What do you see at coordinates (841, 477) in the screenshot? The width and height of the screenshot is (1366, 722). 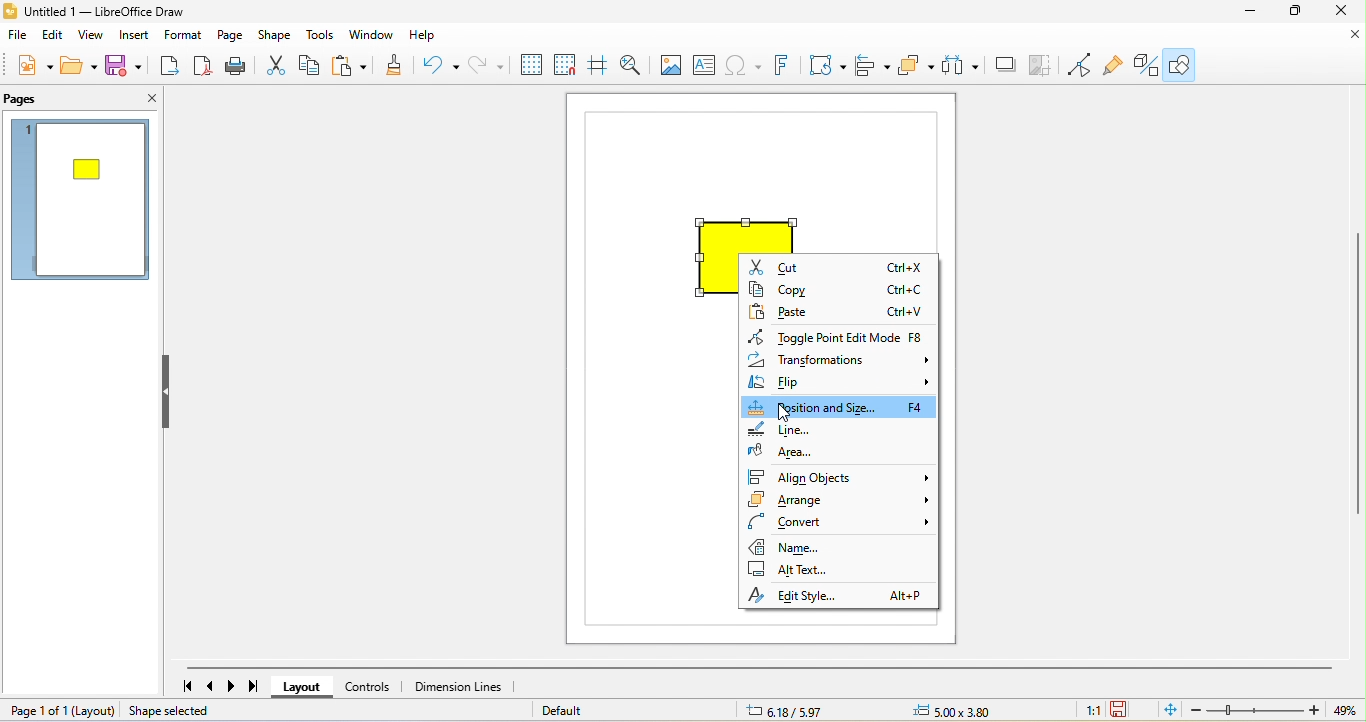 I see `align objects` at bounding box center [841, 477].